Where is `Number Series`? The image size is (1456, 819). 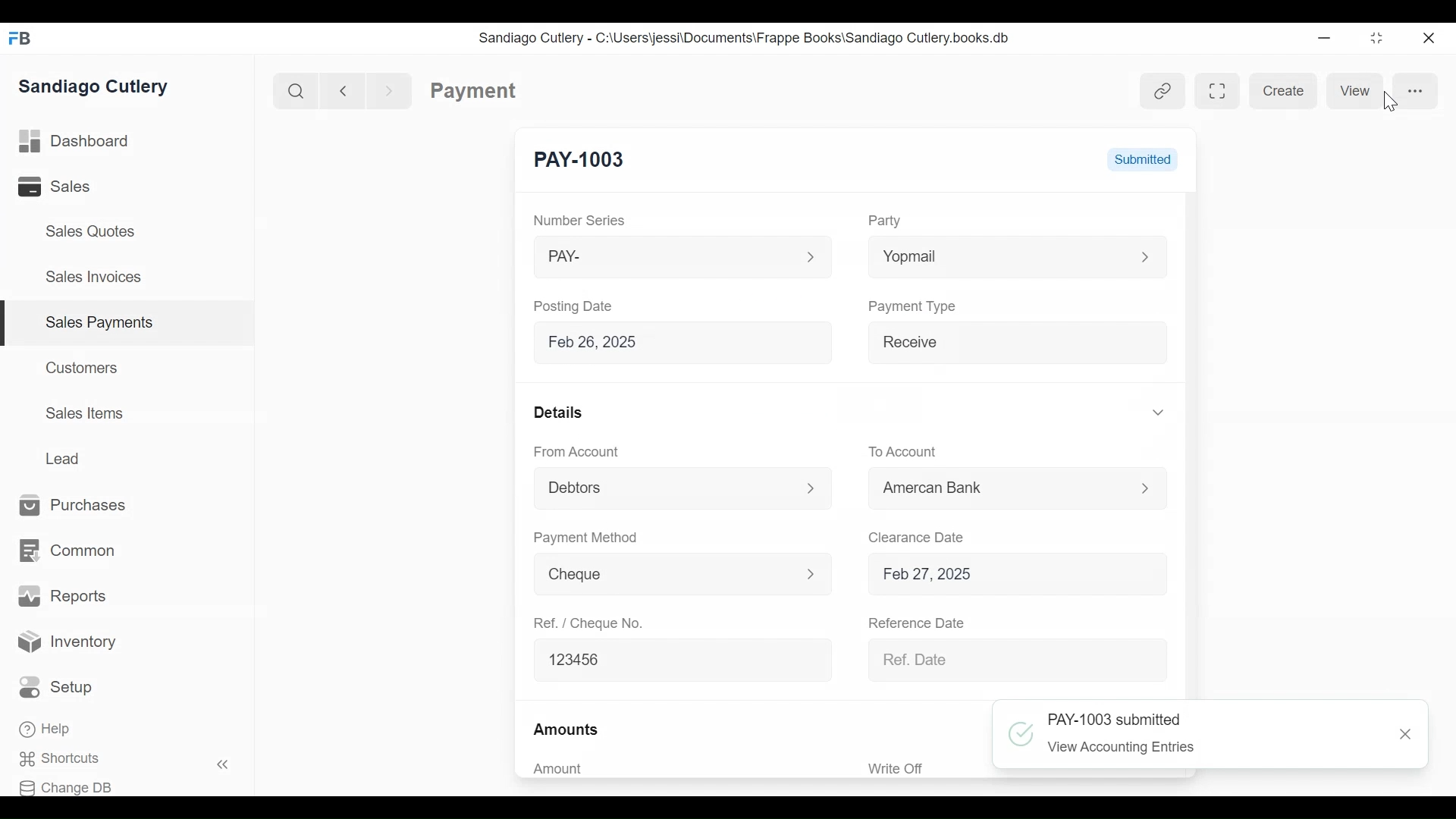
Number Series is located at coordinates (579, 220).